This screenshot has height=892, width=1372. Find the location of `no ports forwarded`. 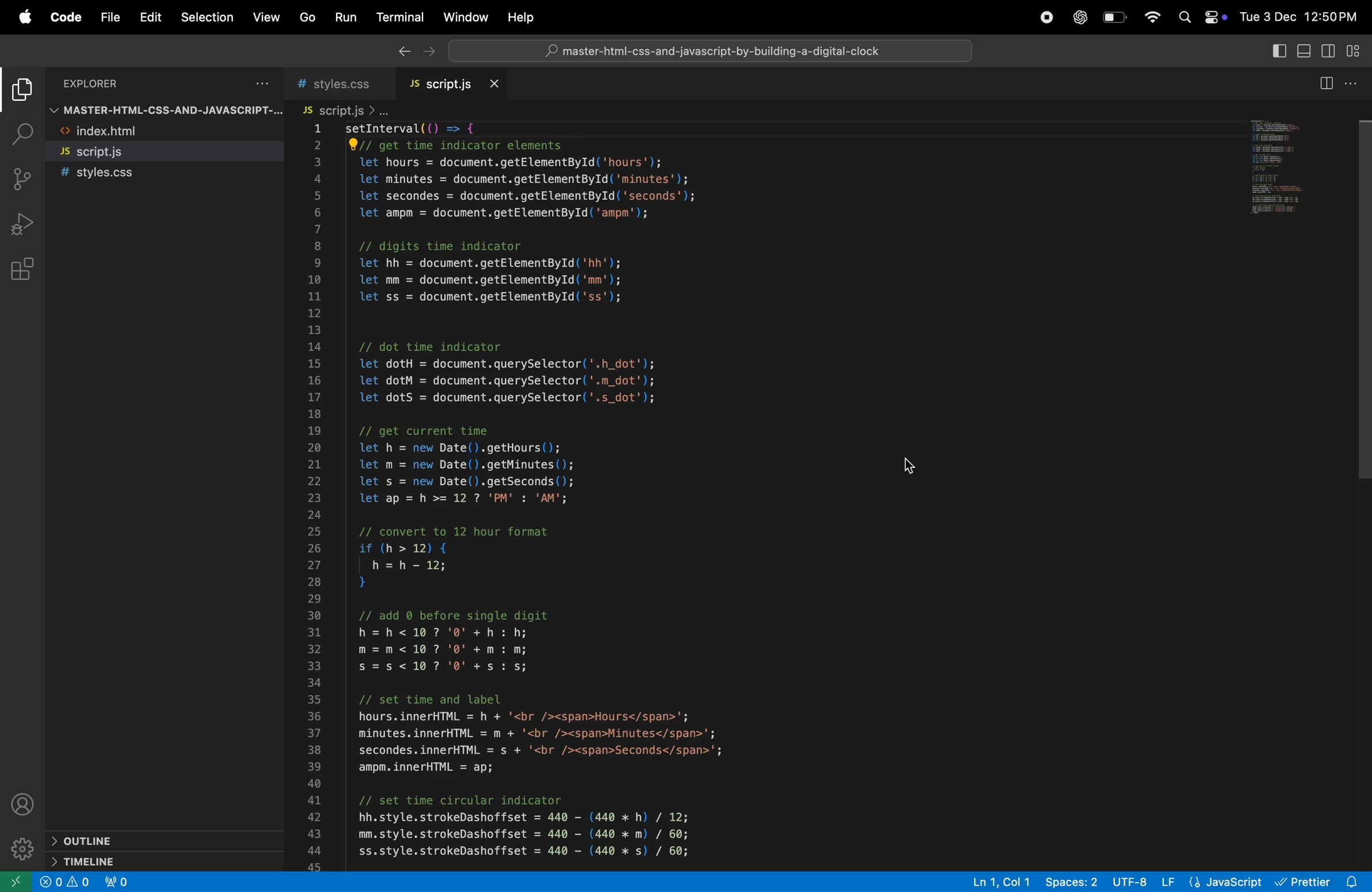

no ports forwarded is located at coordinates (117, 880).